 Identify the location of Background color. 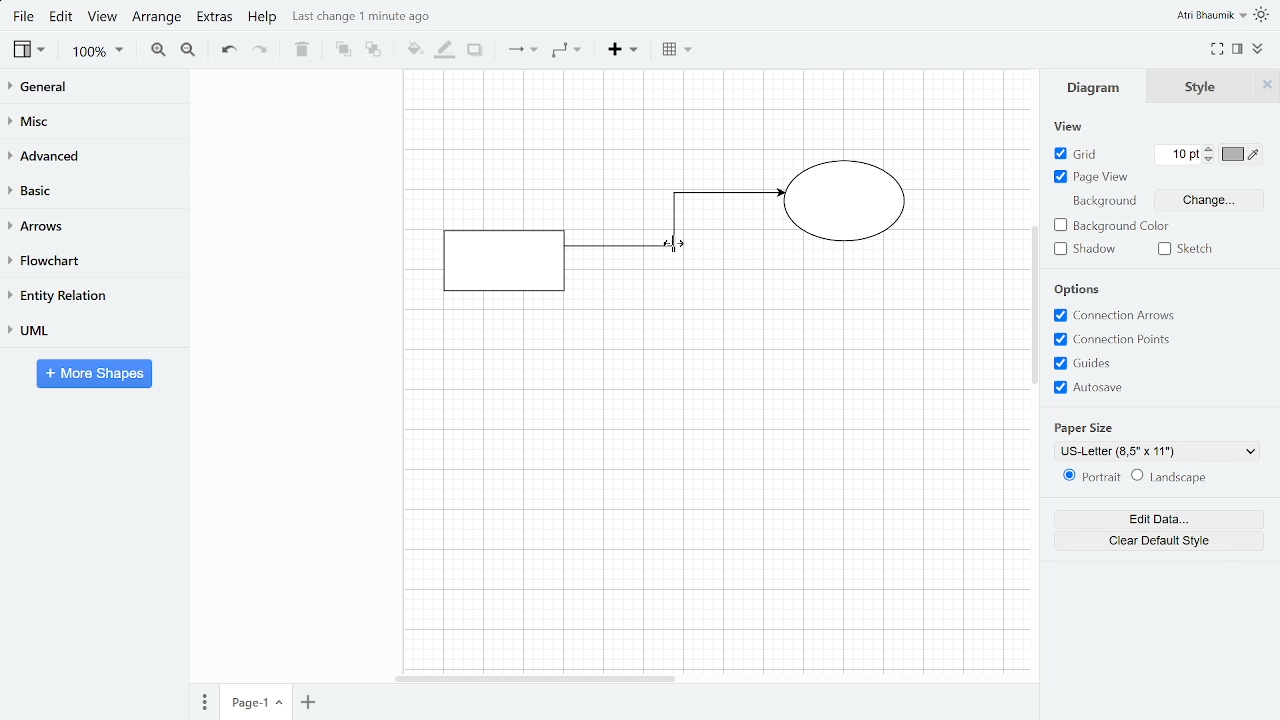
(1111, 225).